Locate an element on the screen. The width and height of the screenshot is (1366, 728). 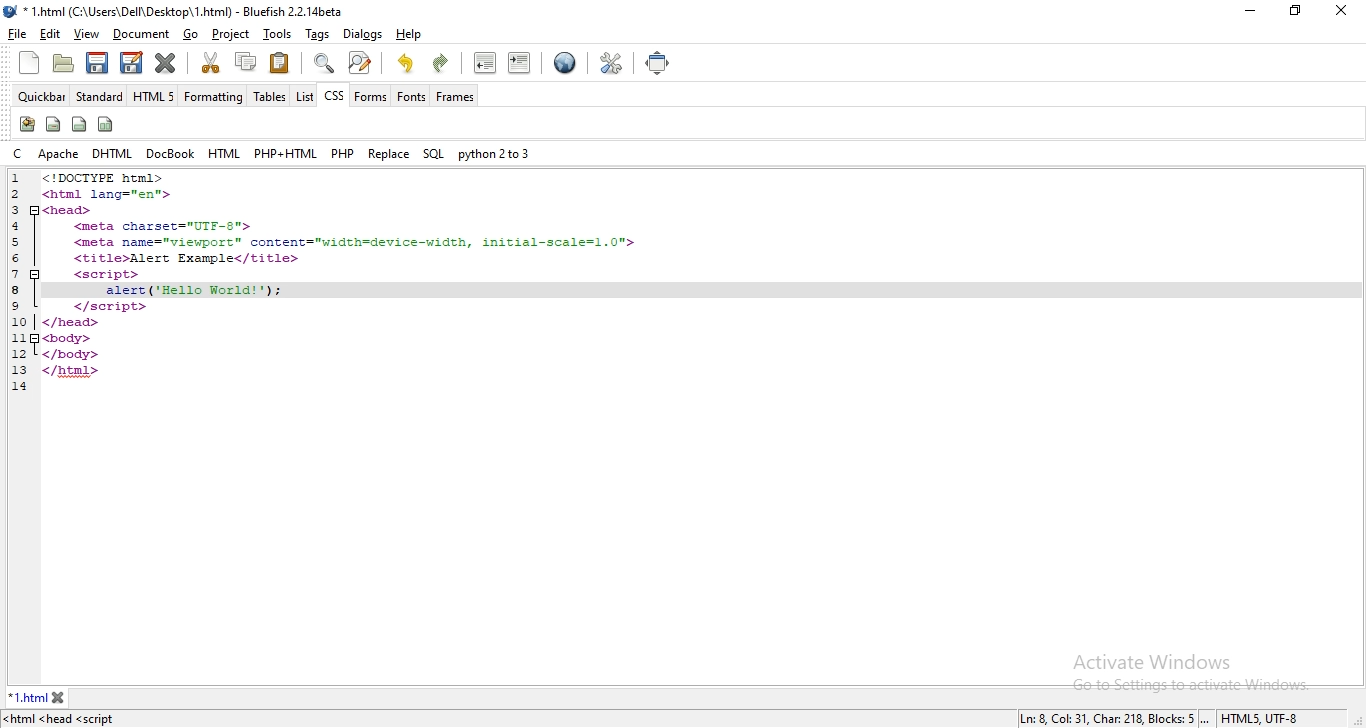
<html <head <script is located at coordinates (60, 719).